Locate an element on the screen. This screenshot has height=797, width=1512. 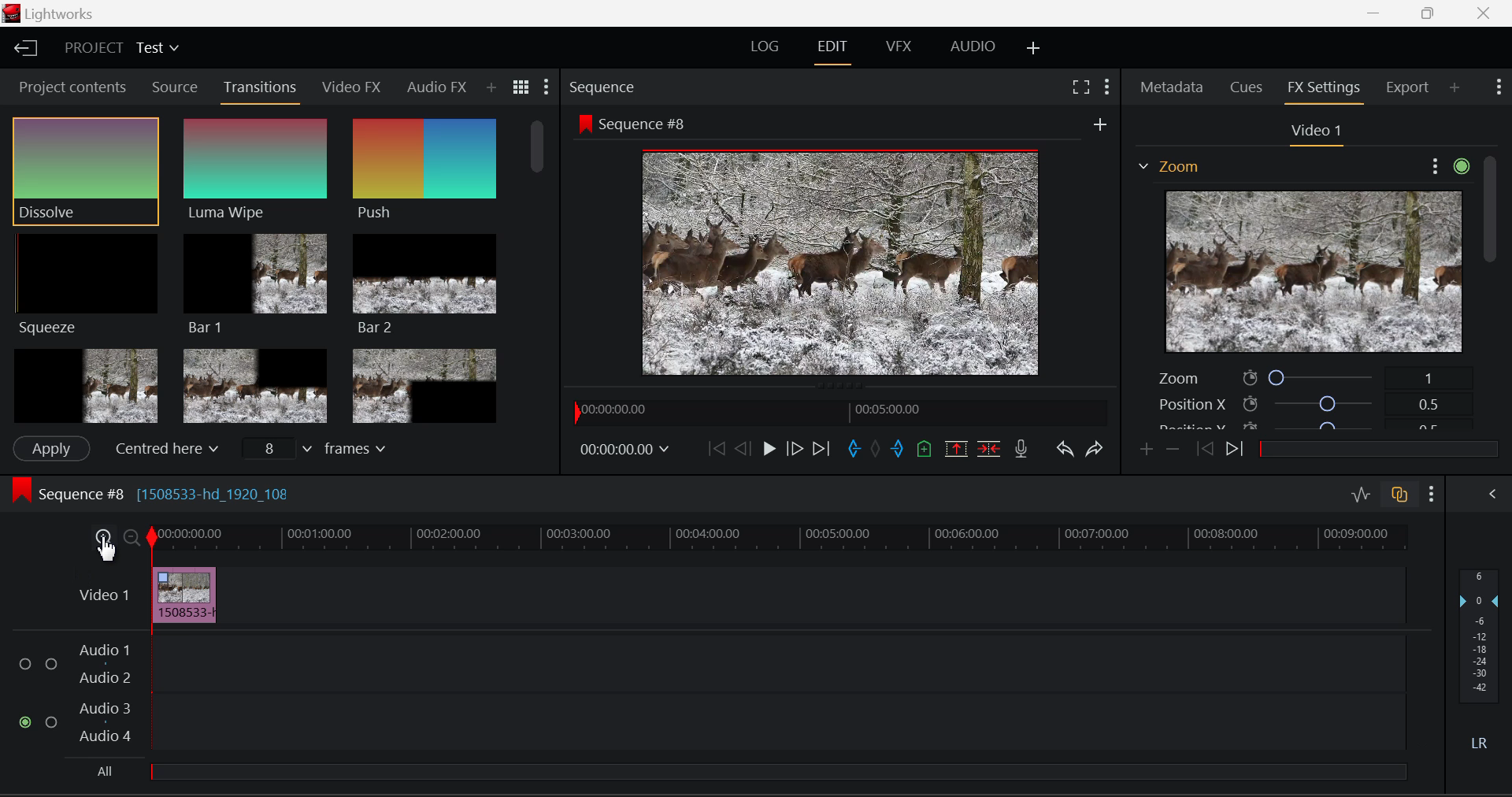
Remove all marks is located at coordinates (875, 450).